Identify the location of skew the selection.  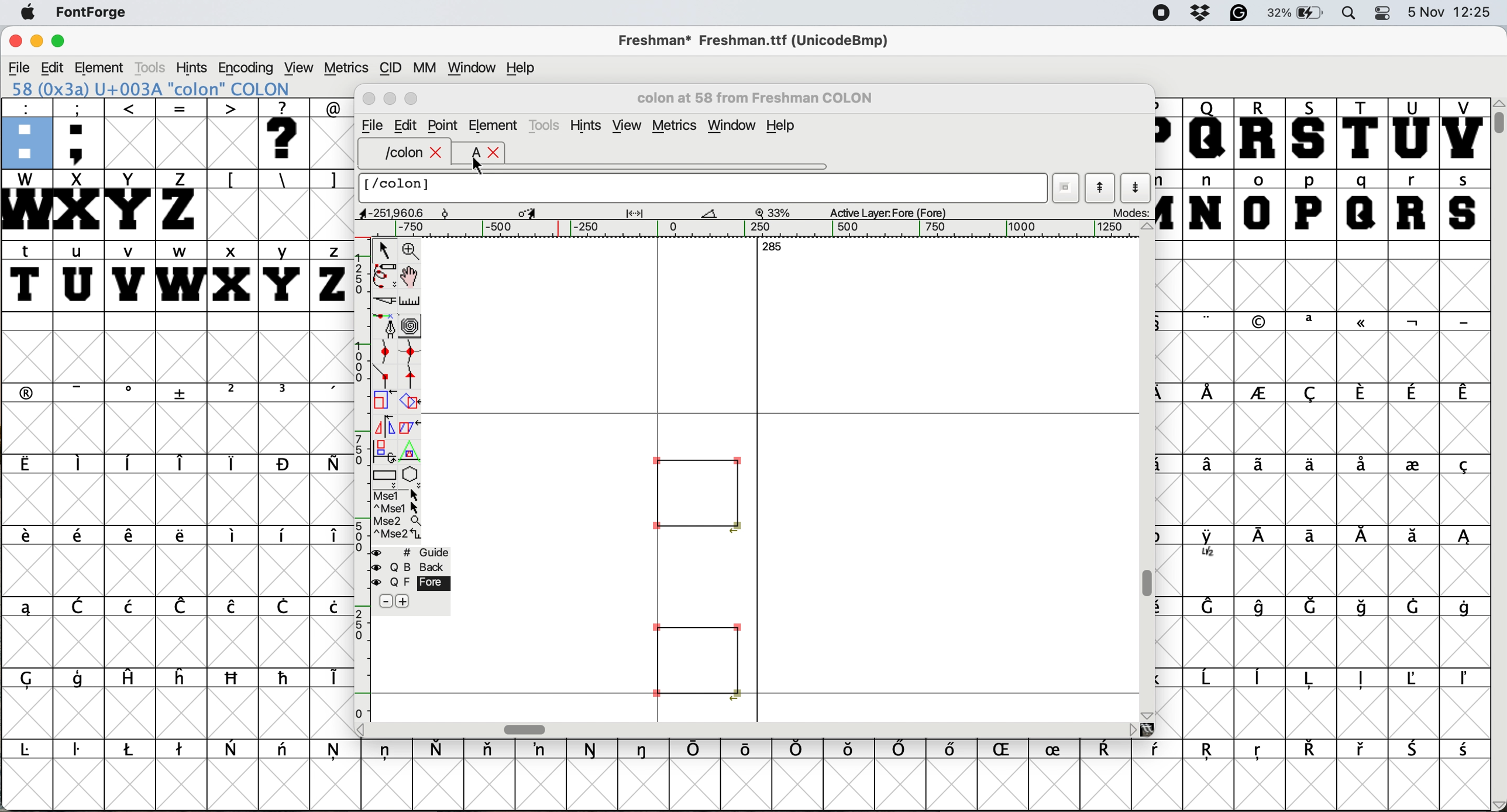
(410, 426).